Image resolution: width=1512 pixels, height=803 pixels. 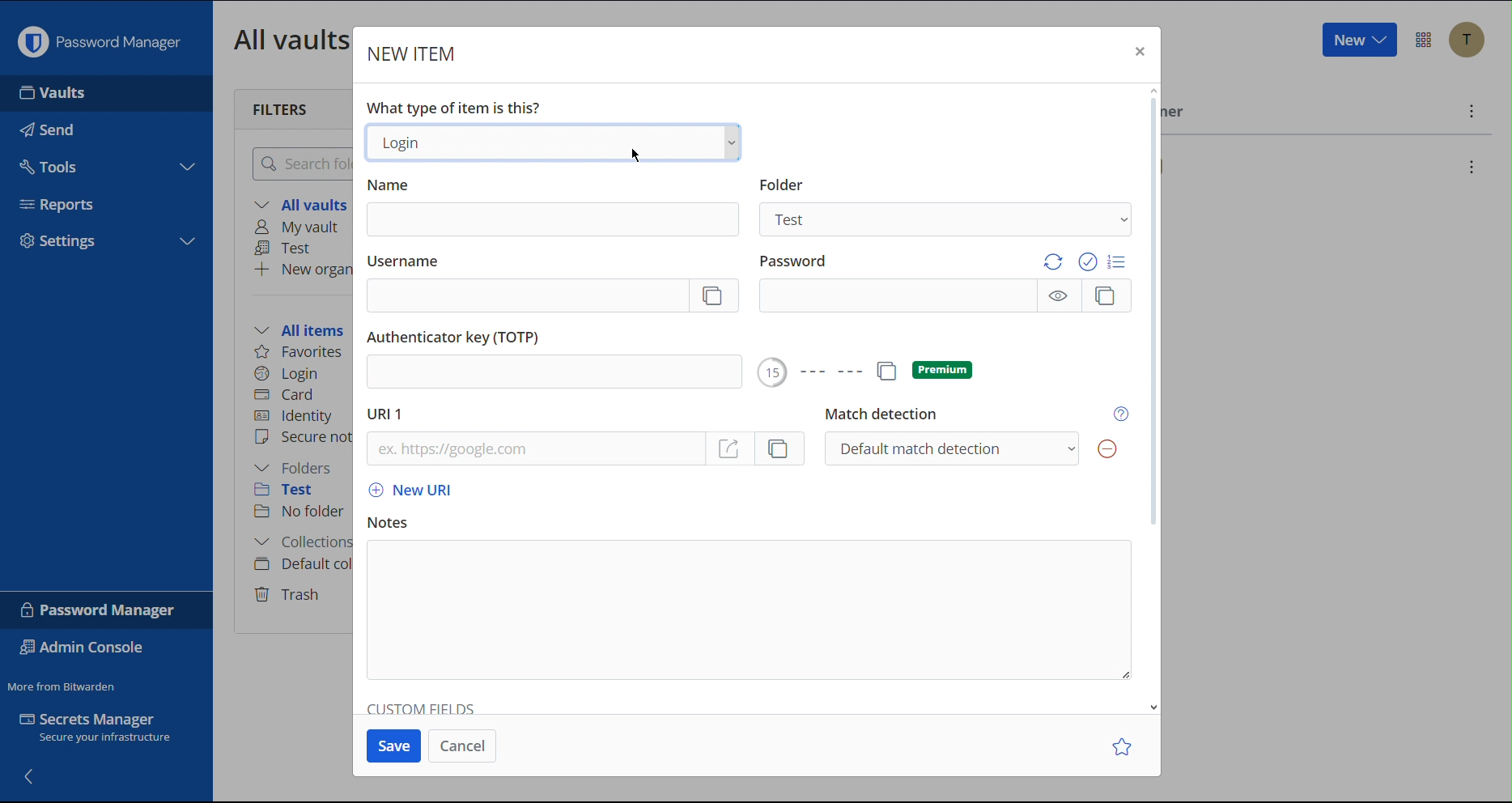 I want to click on Cancel, so click(x=462, y=745).